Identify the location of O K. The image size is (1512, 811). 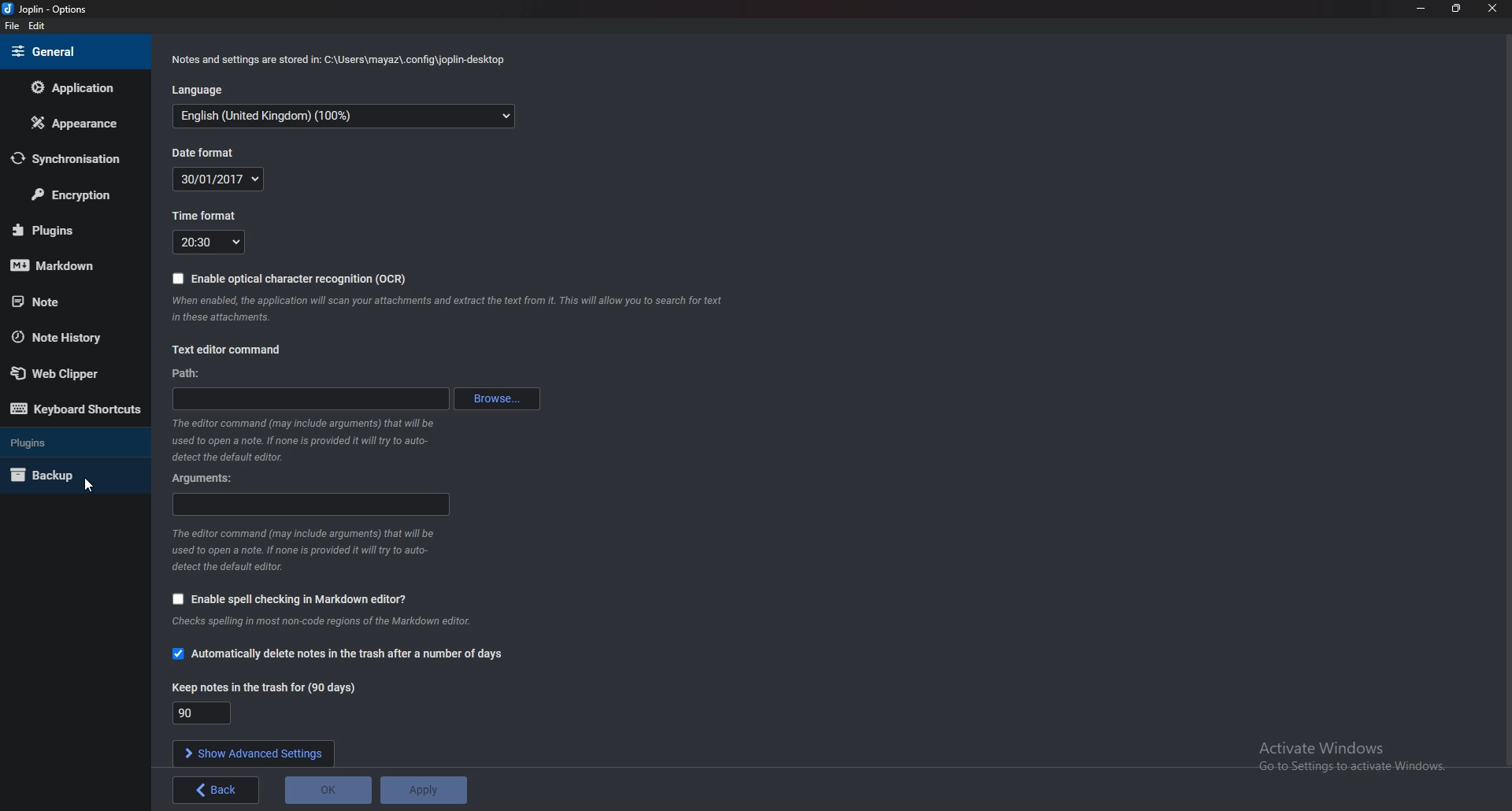
(328, 791).